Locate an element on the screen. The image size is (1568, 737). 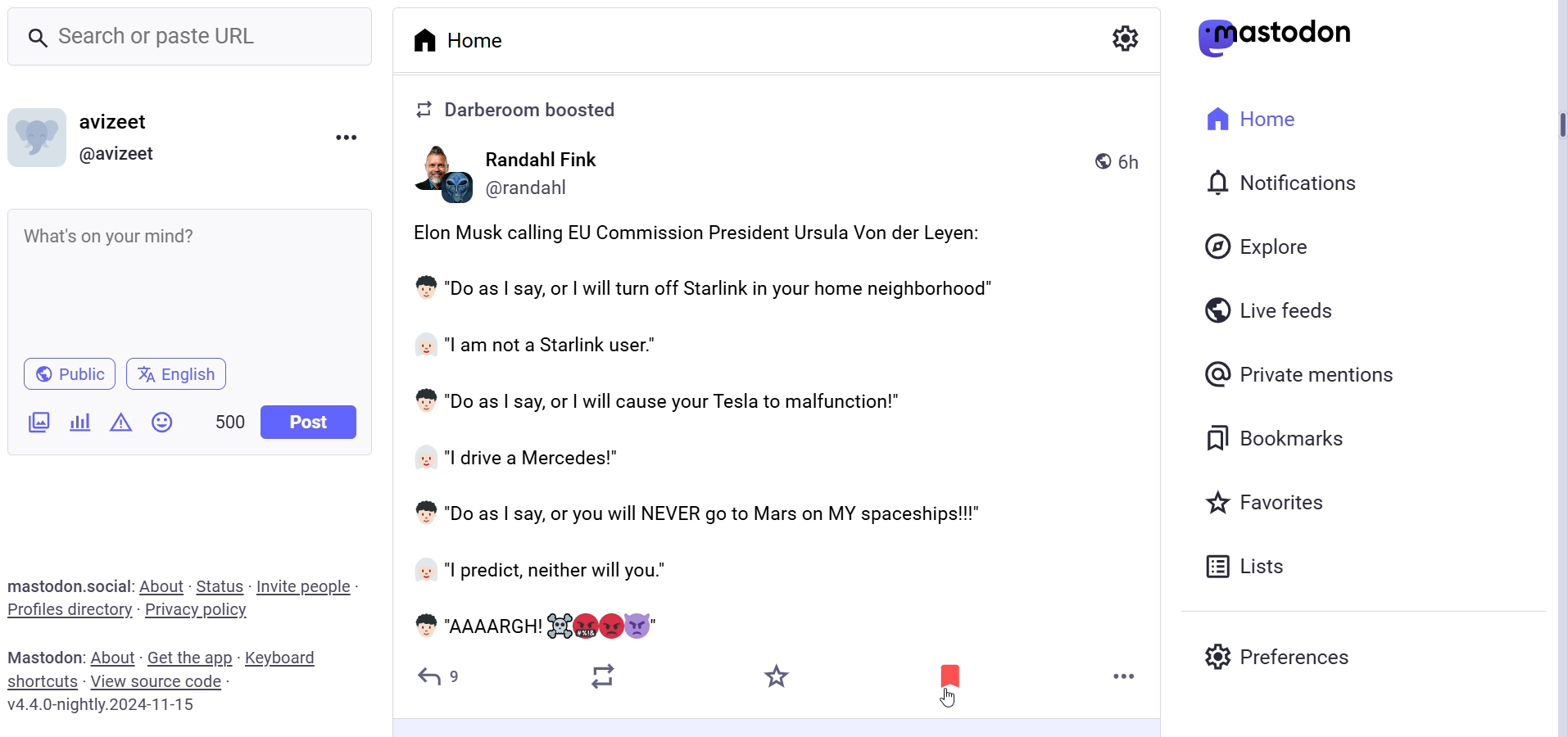
Setting is located at coordinates (1119, 39).